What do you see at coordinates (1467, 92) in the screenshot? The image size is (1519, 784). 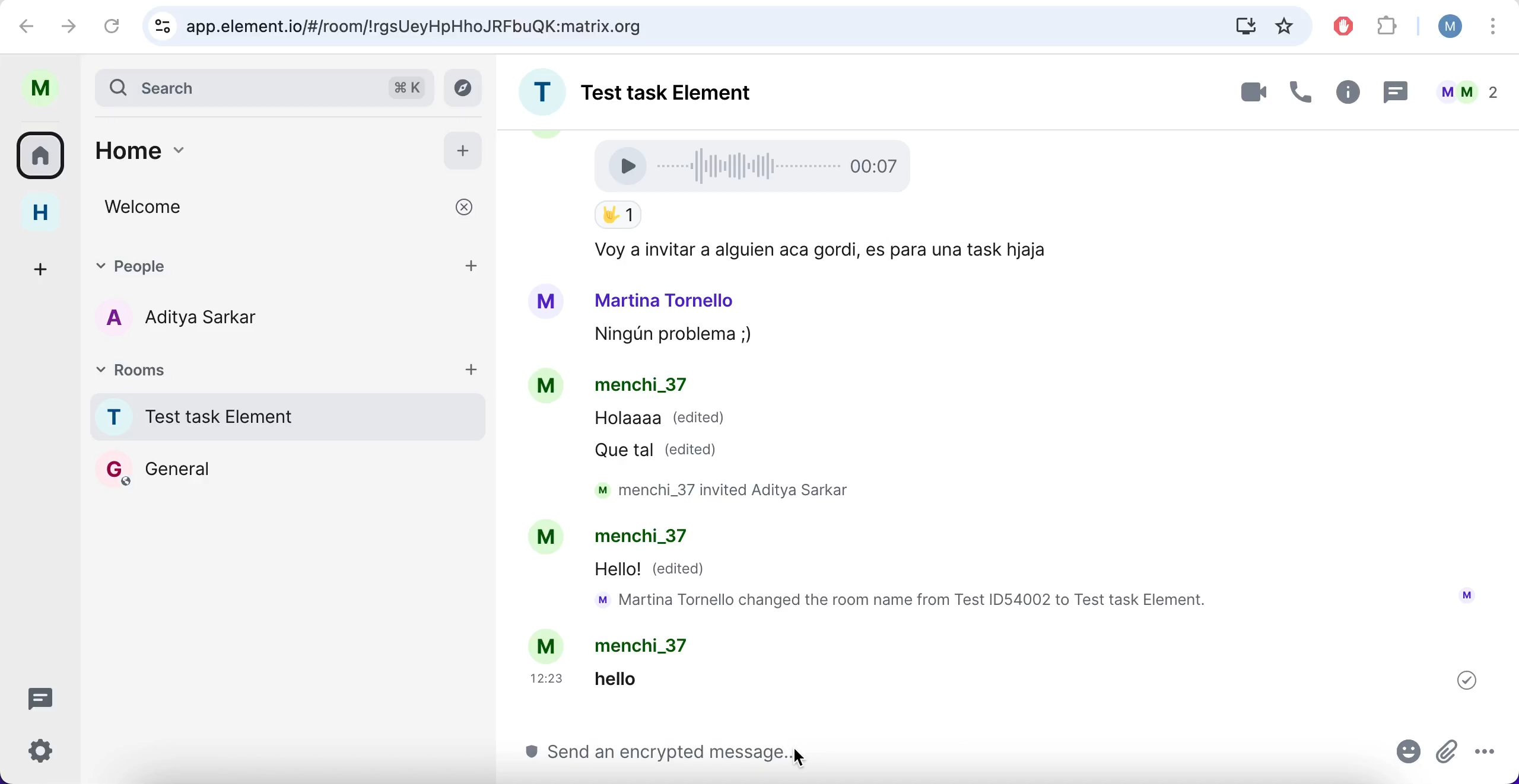 I see `people` at bounding box center [1467, 92].